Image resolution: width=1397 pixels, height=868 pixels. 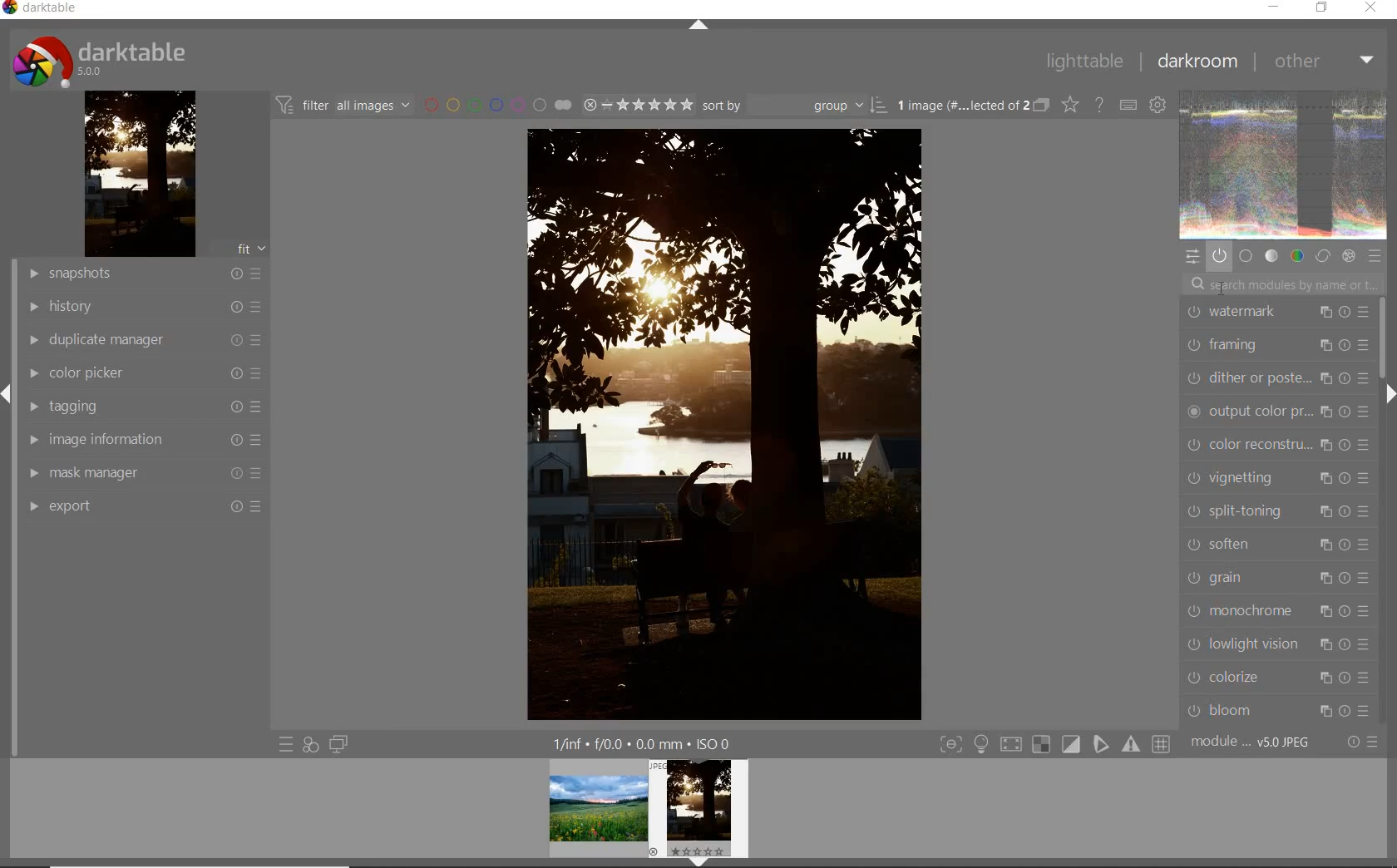 What do you see at coordinates (1390, 397) in the screenshot?
I see `expand/collapse` at bounding box center [1390, 397].